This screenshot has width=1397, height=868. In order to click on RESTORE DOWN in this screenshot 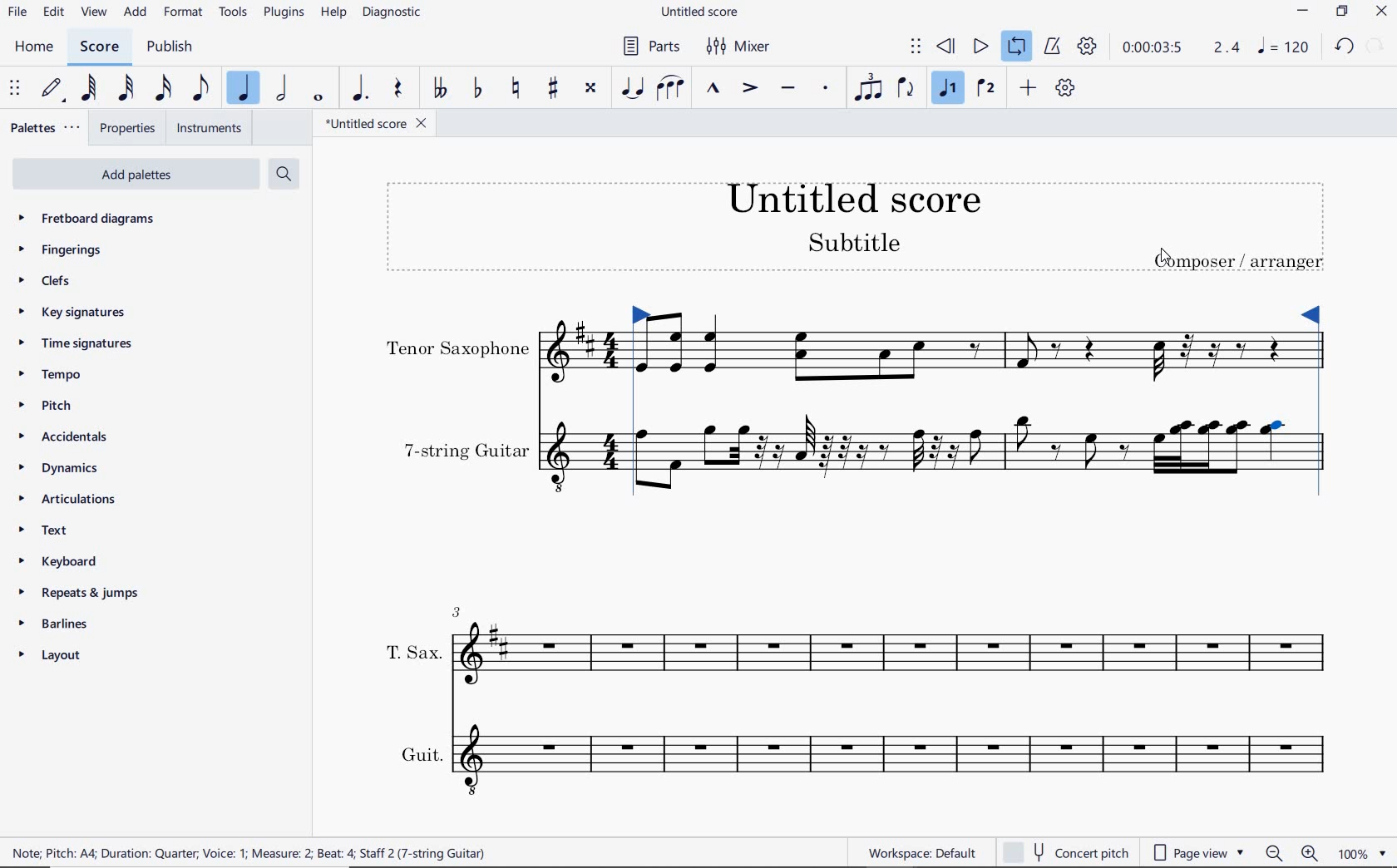, I will do `click(1345, 12)`.